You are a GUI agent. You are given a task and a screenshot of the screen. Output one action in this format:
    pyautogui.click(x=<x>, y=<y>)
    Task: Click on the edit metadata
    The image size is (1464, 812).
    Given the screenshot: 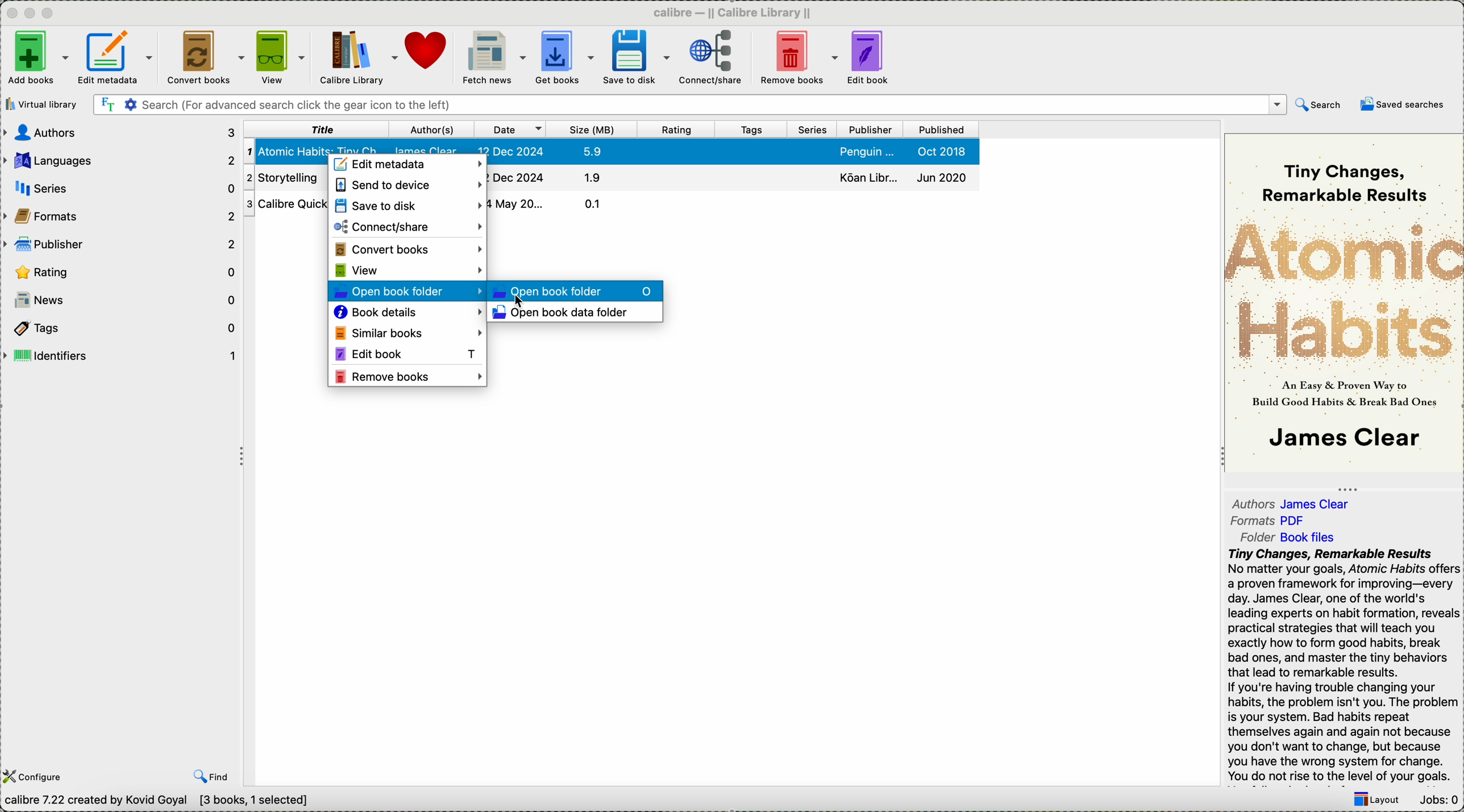 What is the action you would take?
    pyautogui.click(x=409, y=165)
    